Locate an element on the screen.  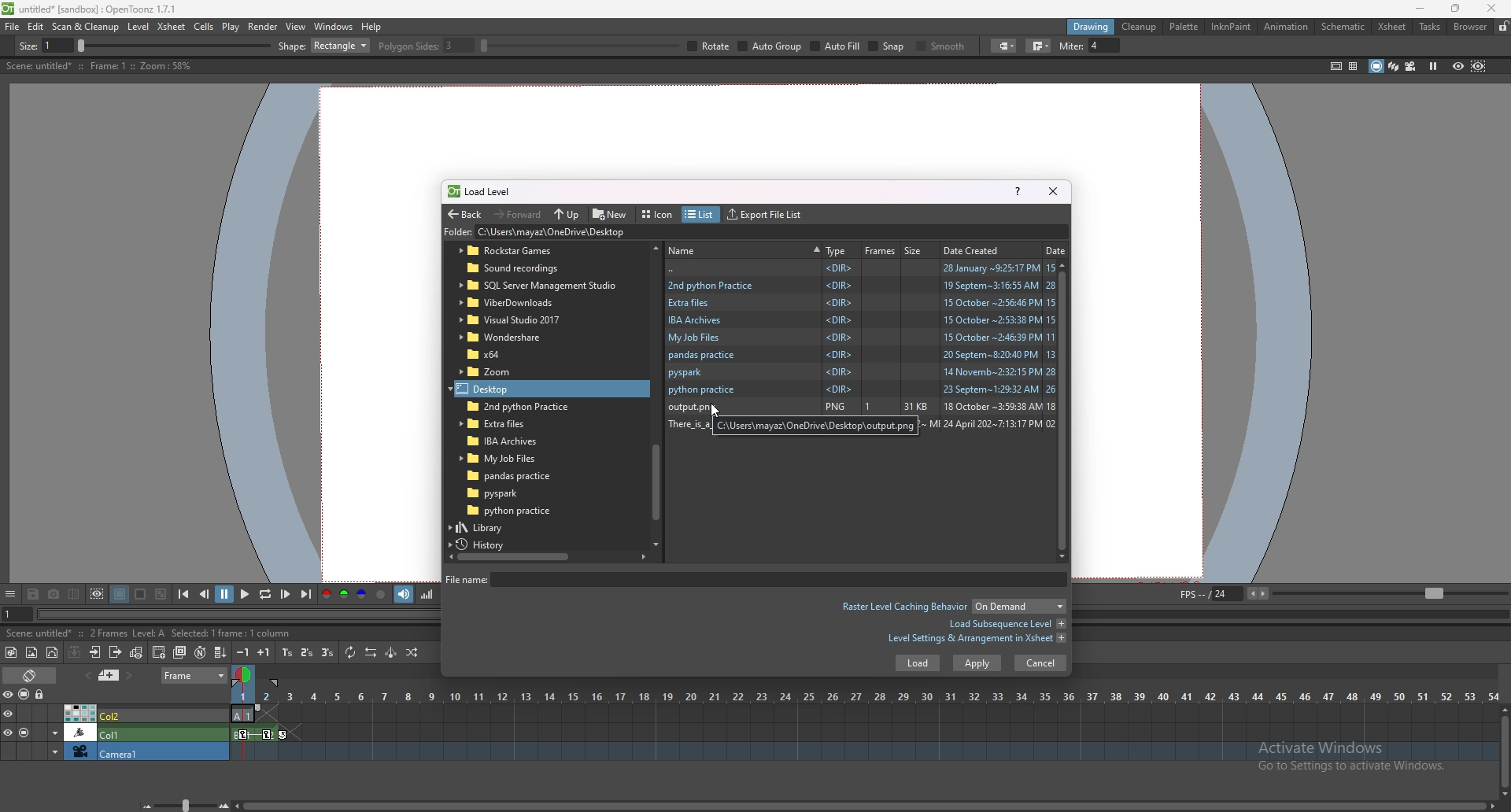
time scale is located at coordinates (865, 696).